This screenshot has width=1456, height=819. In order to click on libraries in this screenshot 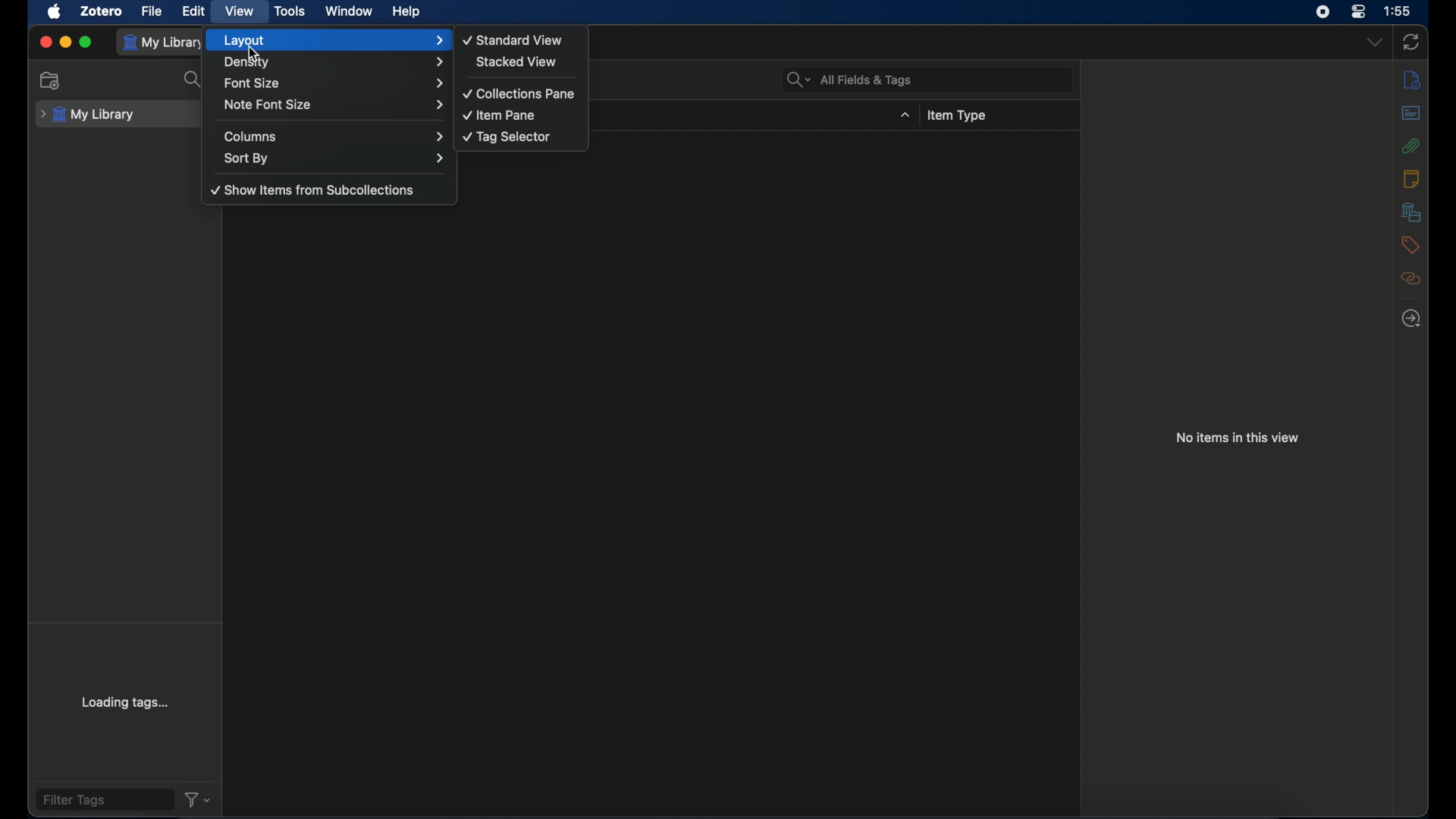, I will do `click(1411, 212)`.